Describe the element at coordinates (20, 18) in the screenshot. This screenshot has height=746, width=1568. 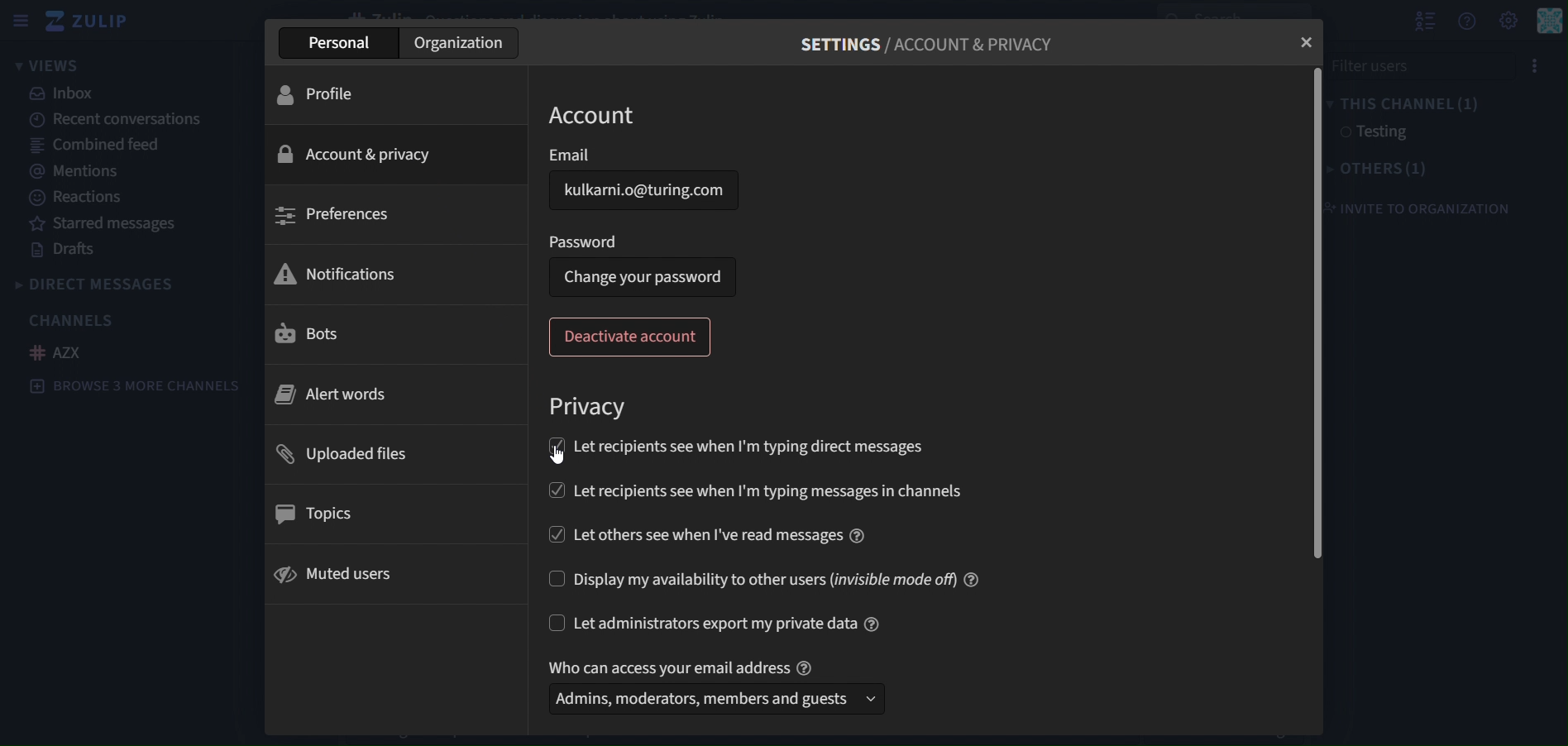
I see `sidebar` at that location.